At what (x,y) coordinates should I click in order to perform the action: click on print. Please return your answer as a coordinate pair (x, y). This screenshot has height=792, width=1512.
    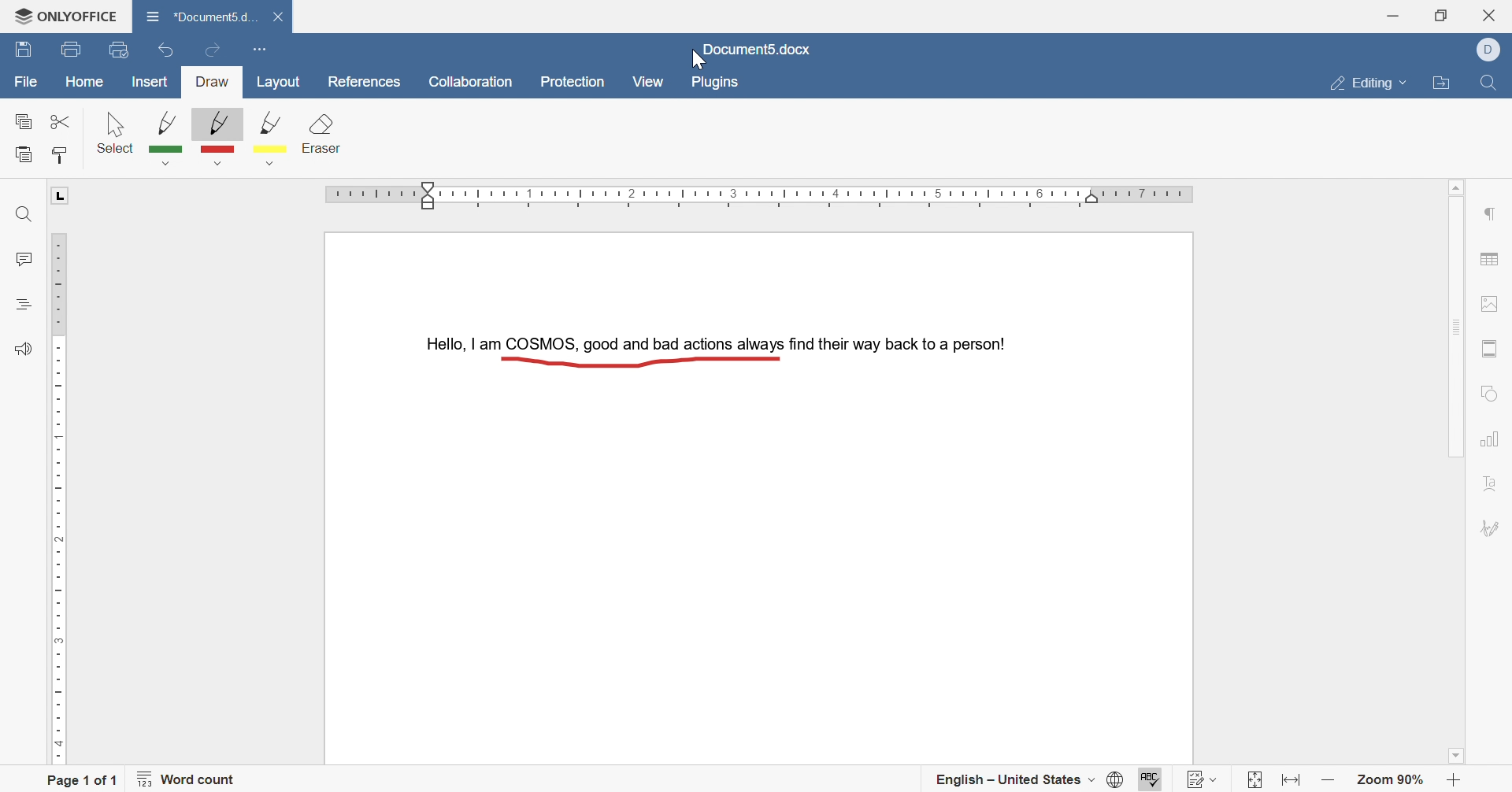
    Looking at the image, I should click on (69, 50).